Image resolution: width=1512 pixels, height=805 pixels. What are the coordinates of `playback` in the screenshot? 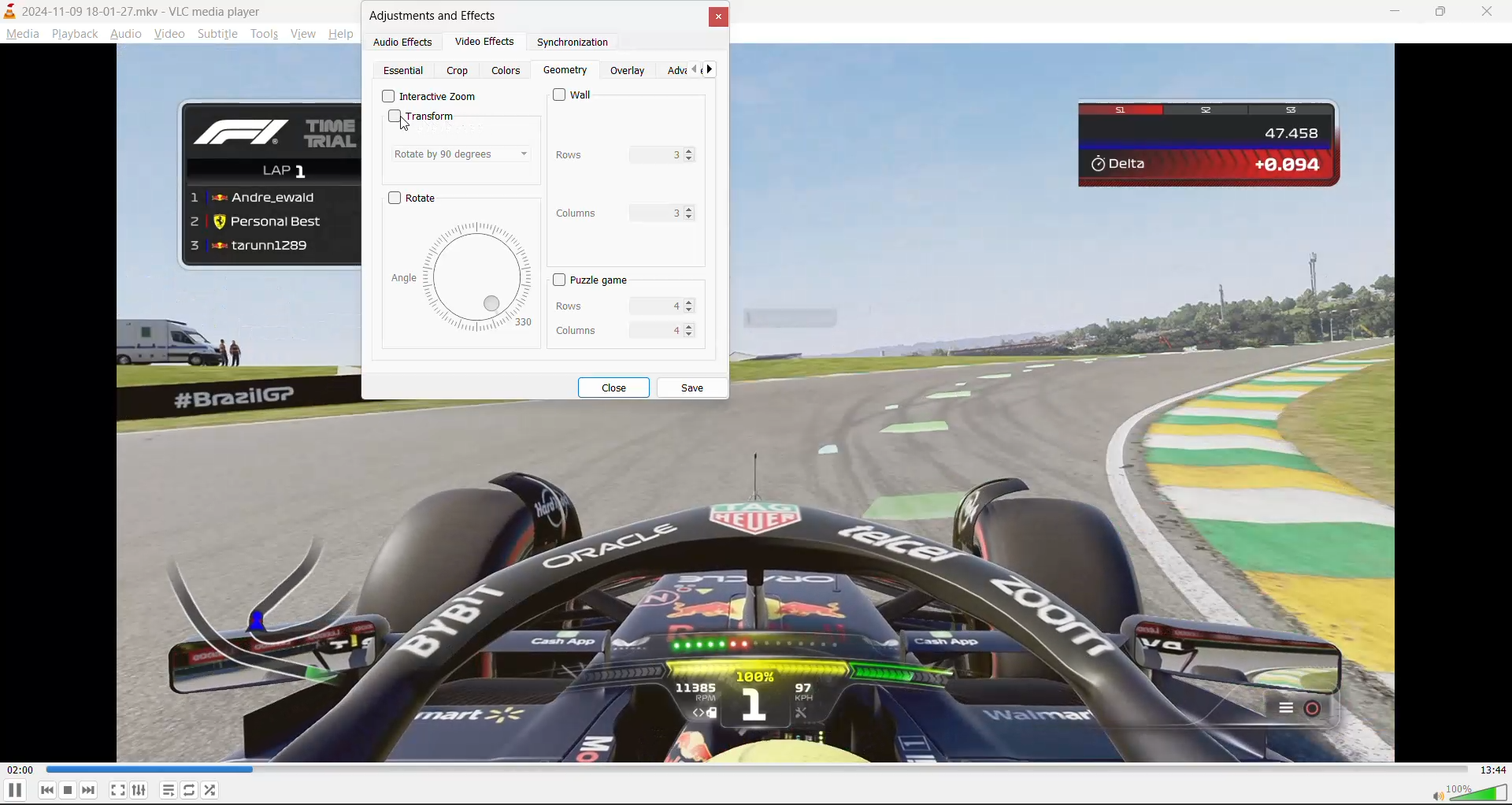 It's located at (72, 32).